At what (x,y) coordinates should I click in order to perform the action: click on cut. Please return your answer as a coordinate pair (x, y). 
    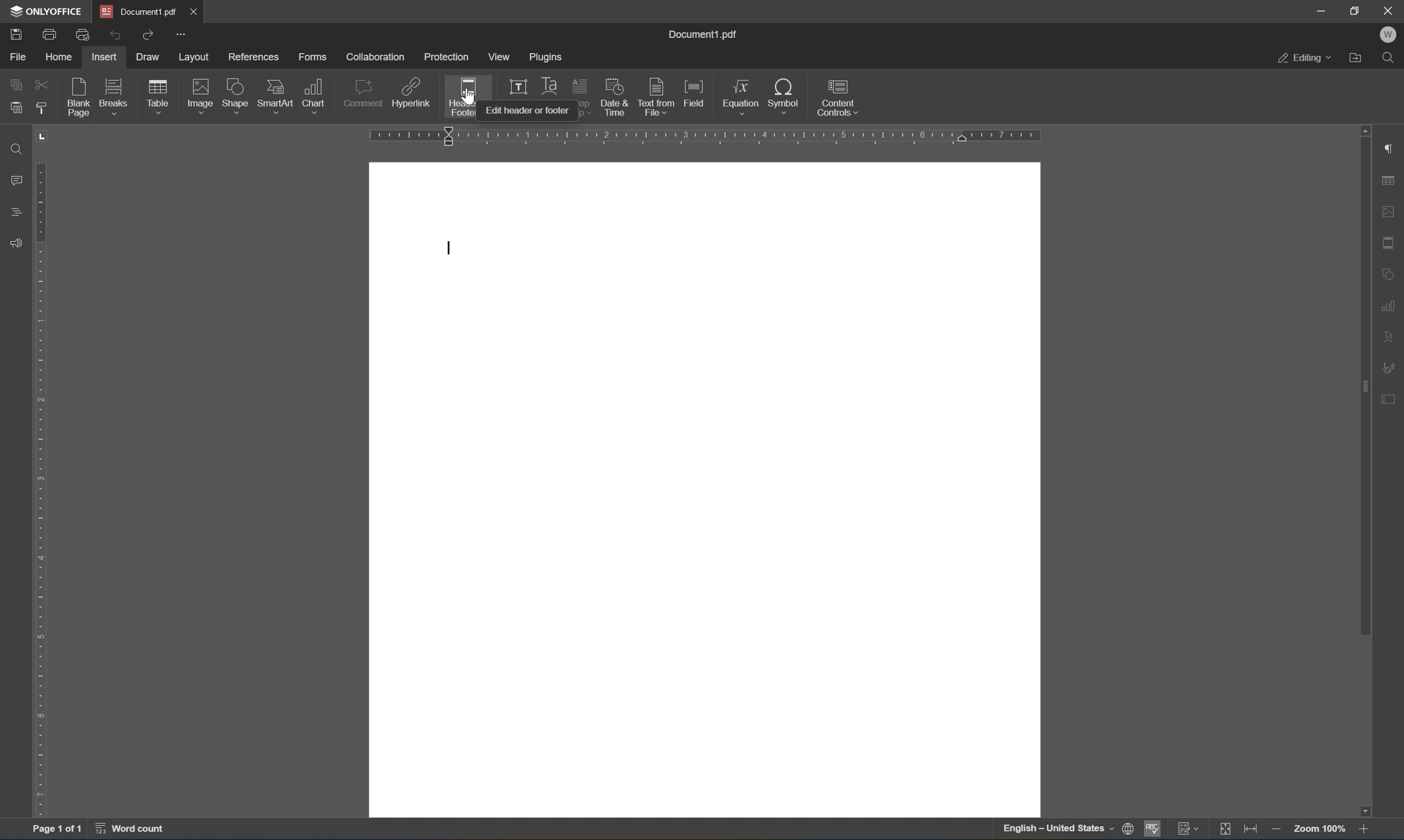
    Looking at the image, I should click on (40, 83).